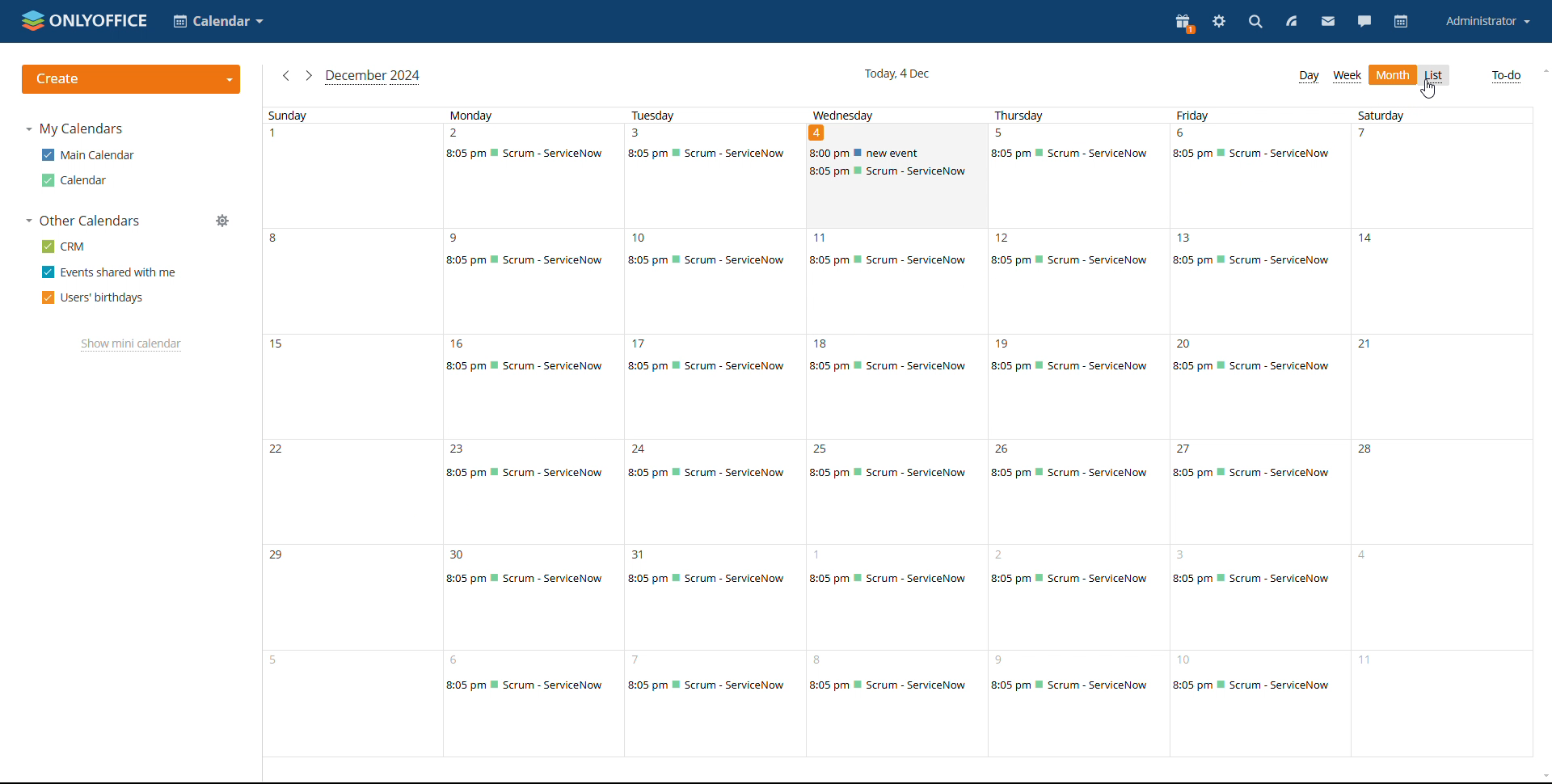 The image size is (1552, 784). What do you see at coordinates (1347, 77) in the screenshot?
I see `week view` at bounding box center [1347, 77].